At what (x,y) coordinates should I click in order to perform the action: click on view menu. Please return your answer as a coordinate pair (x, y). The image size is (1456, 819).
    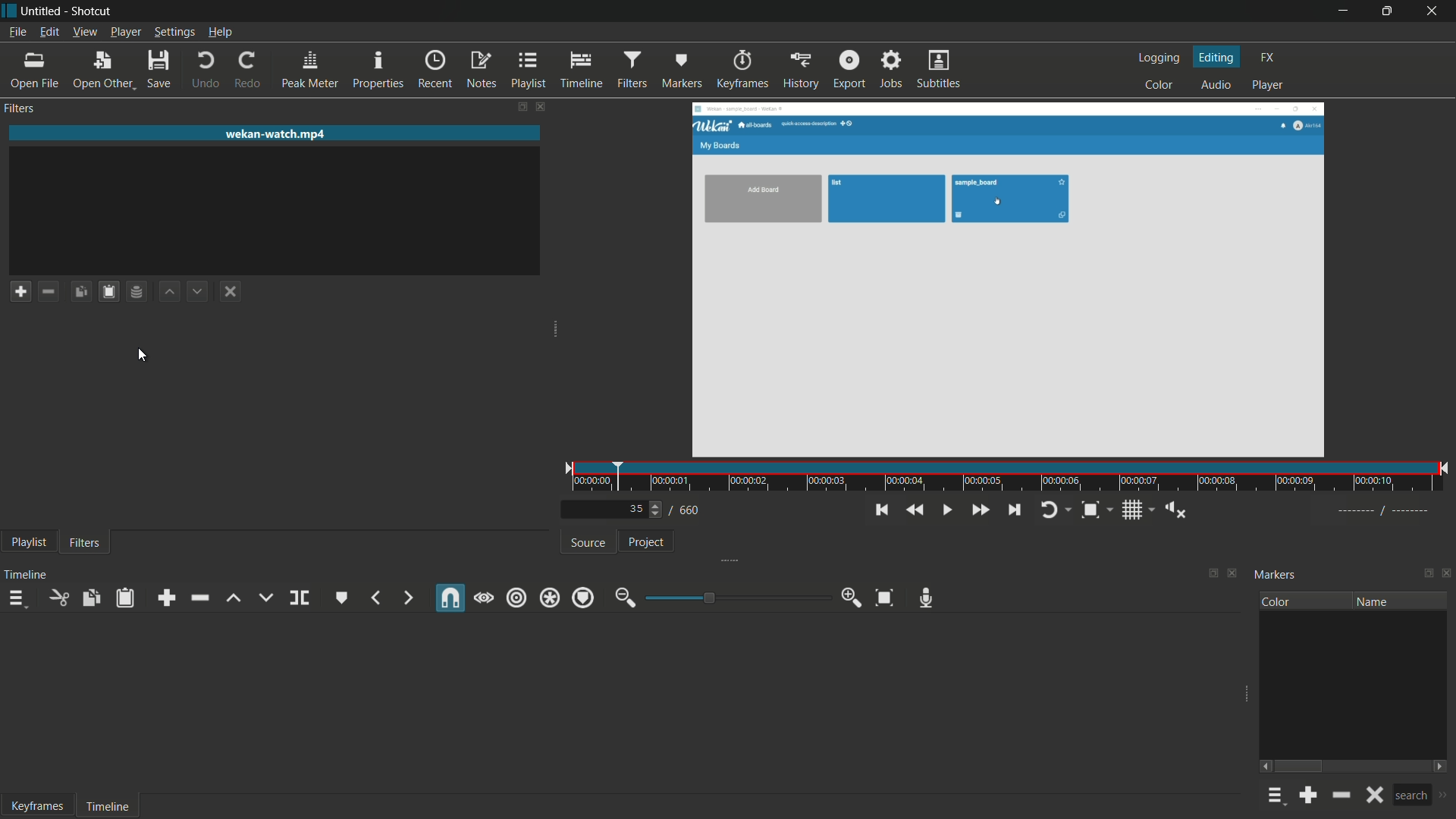
    Looking at the image, I should click on (84, 32).